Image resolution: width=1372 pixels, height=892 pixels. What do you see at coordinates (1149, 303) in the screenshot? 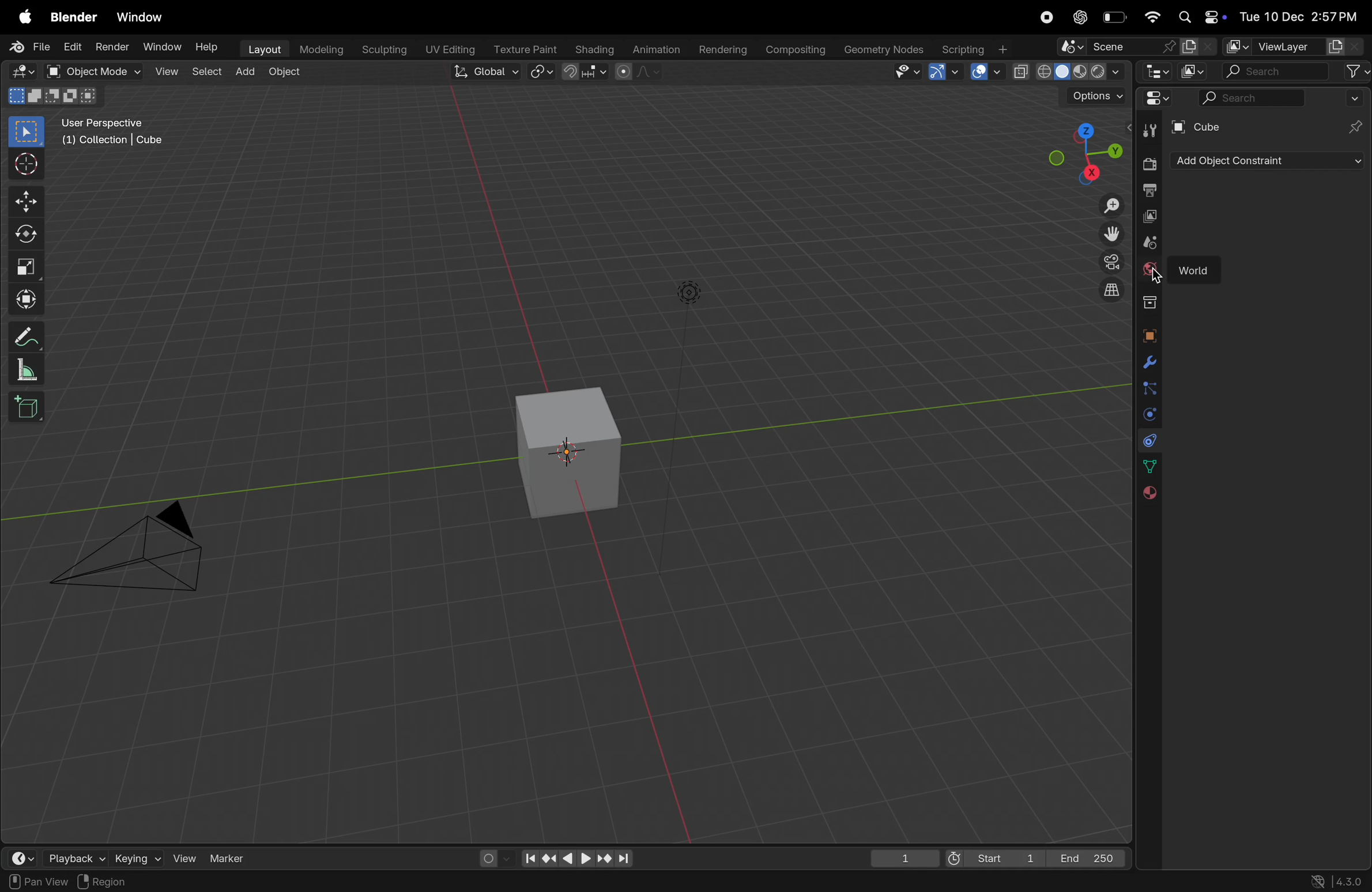
I see `collection` at bounding box center [1149, 303].